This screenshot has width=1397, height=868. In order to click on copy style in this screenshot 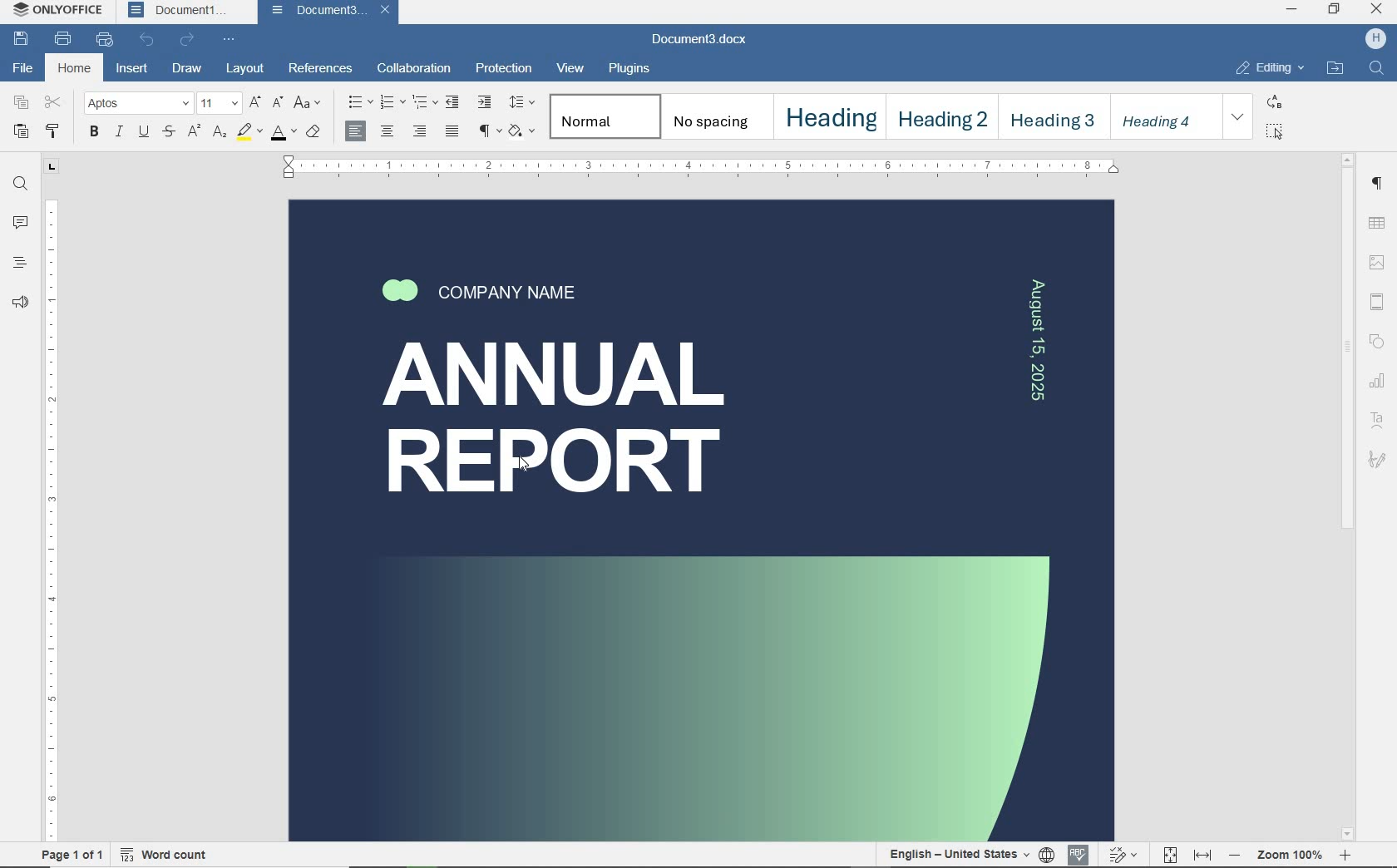, I will do `click(53, 129)`.